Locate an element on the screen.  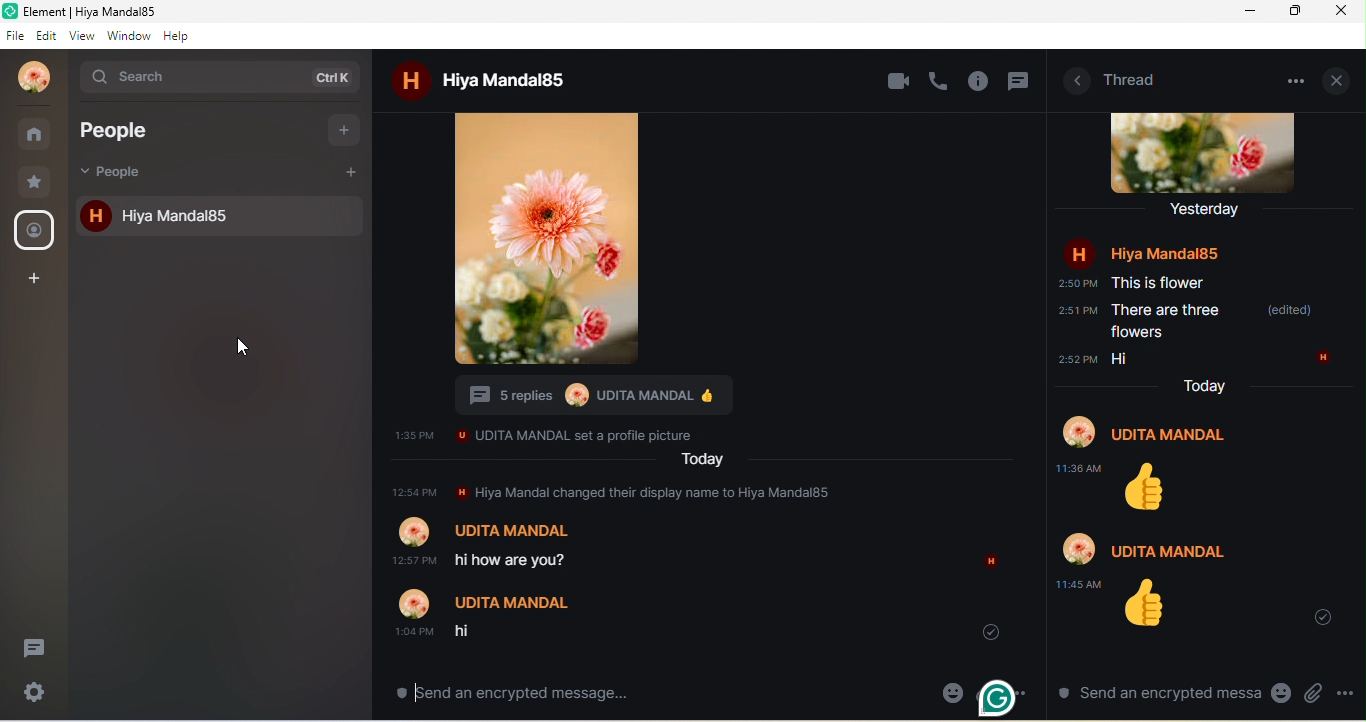
H is located at coordinates (1081, 252).